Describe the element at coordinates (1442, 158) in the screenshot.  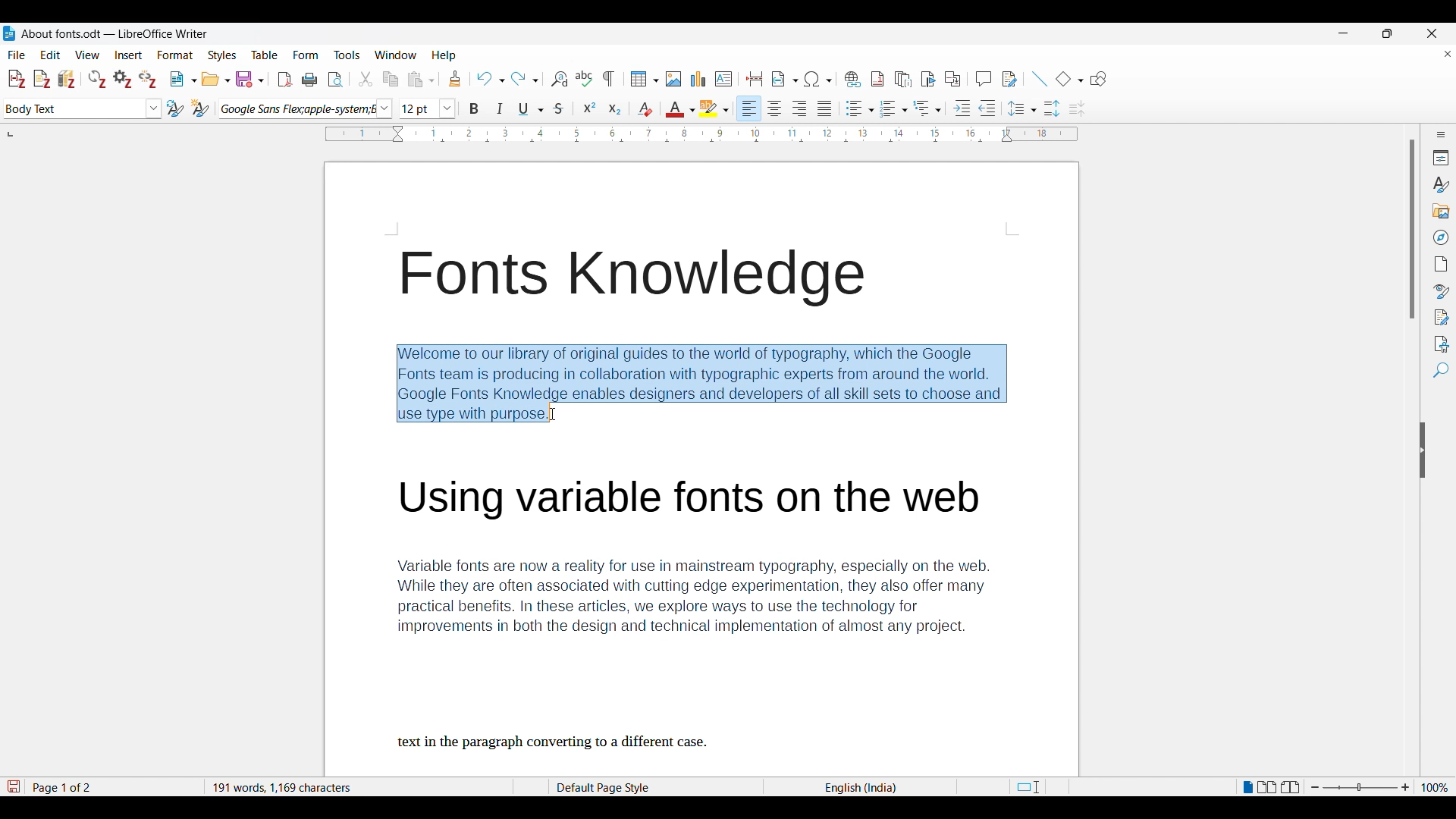
I see `Properties` at that location.